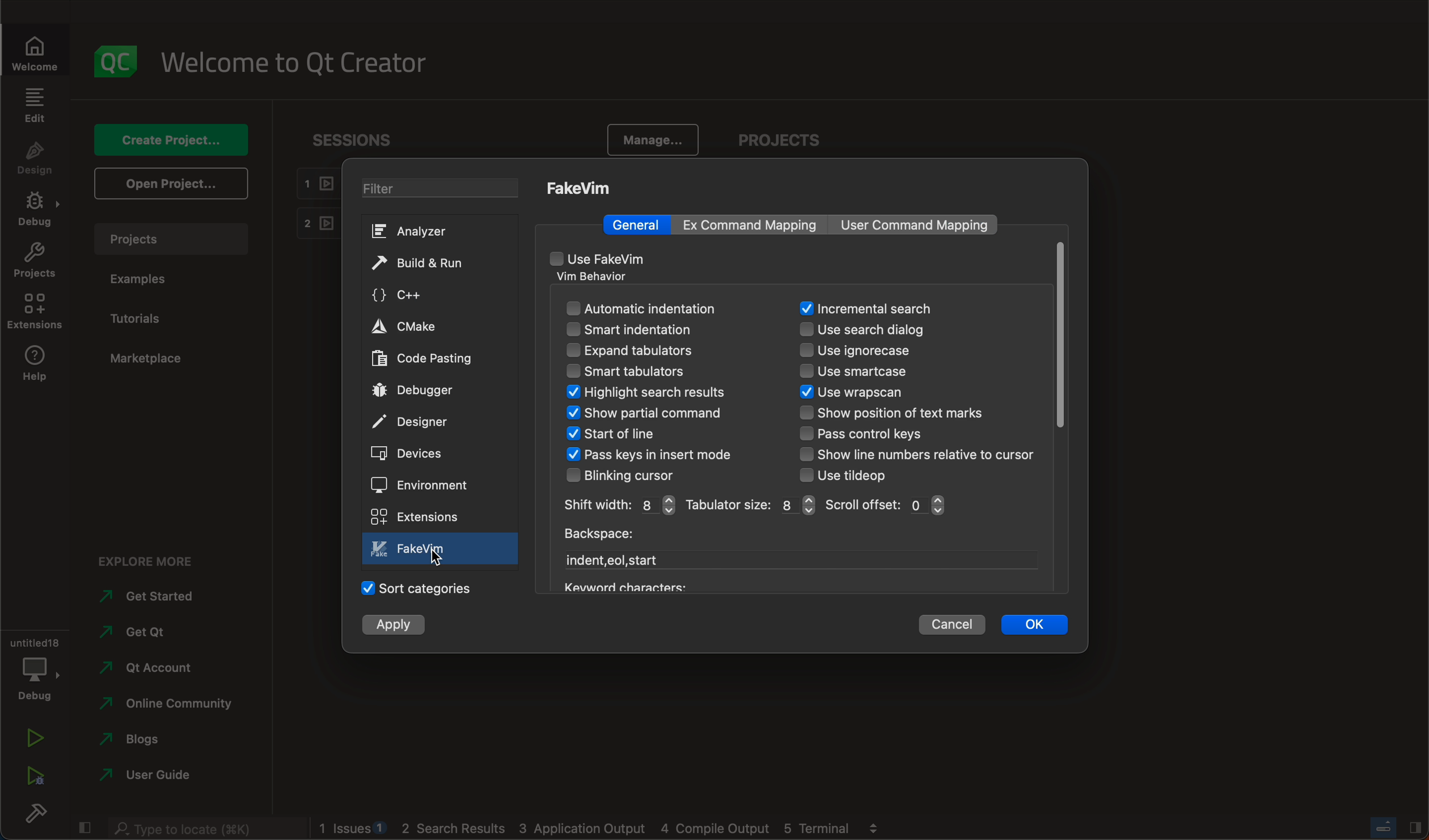  What do you see at coordinates (33, 737) in the screenshot?
I see `run` at bounding box center [33, 737].